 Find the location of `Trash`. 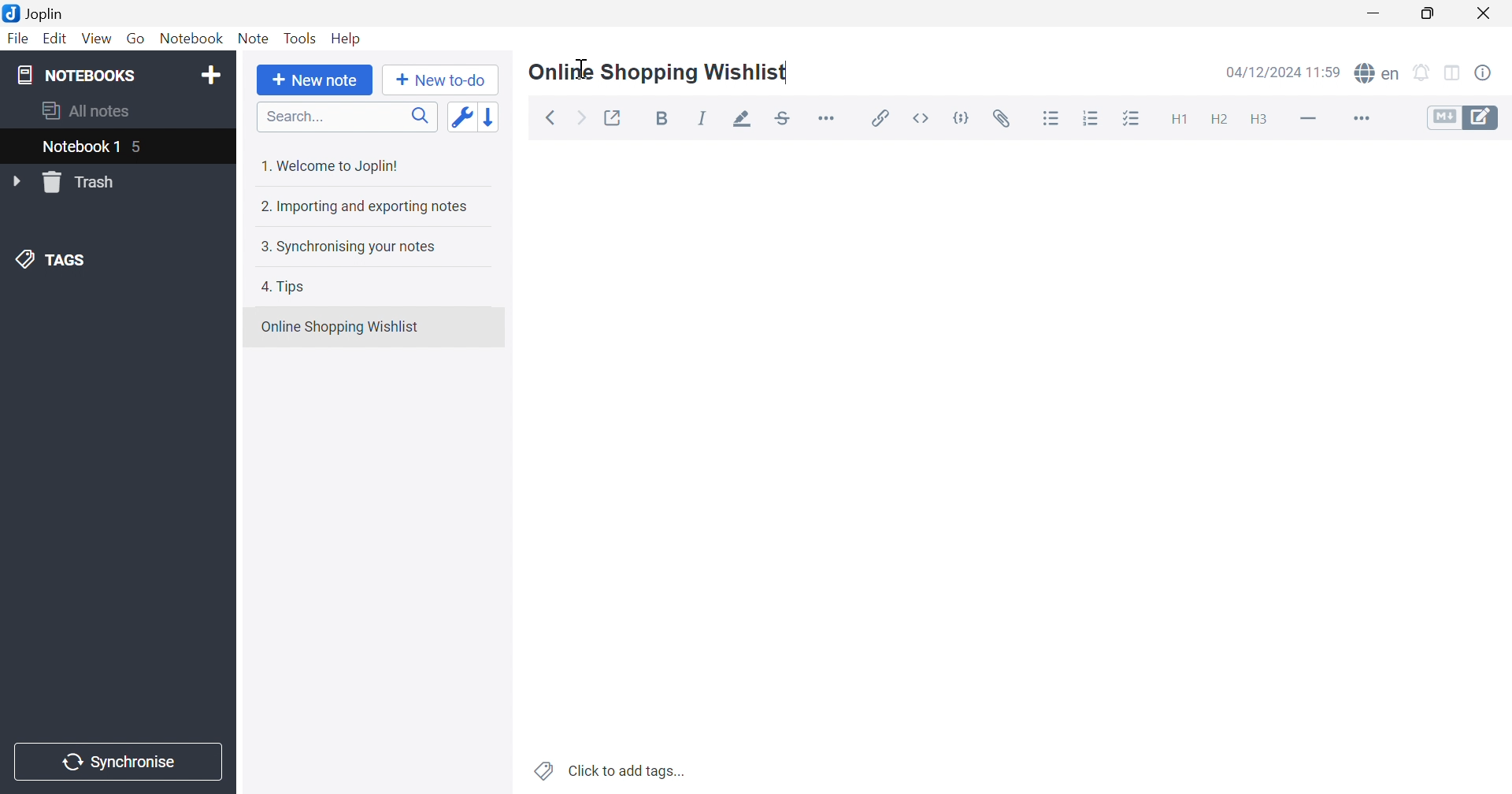

Trash is located at coordinates (84, 183).